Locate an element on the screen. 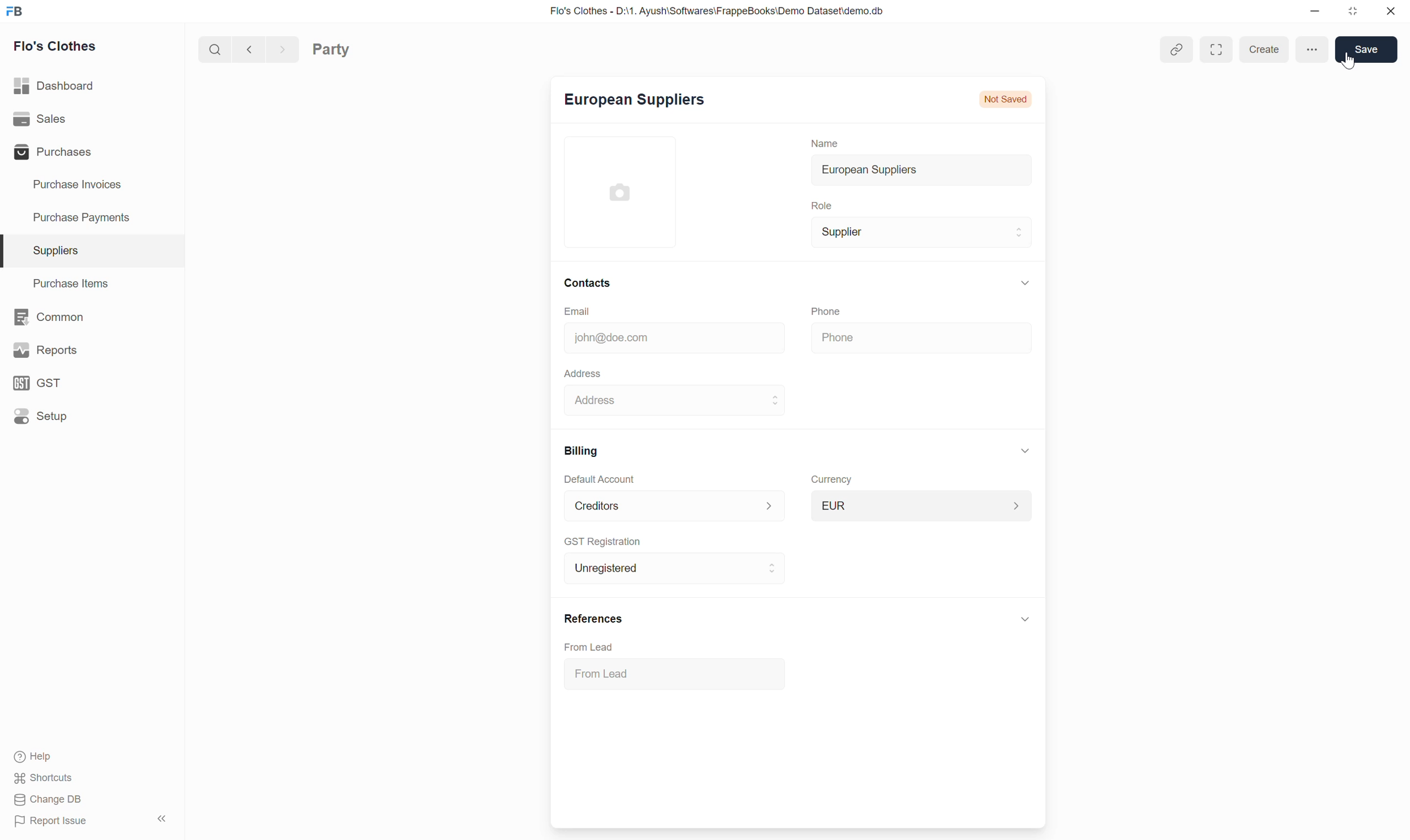 The height and width of the screenshot is (840, 1410). add picture is located at coordinates (630, 190).